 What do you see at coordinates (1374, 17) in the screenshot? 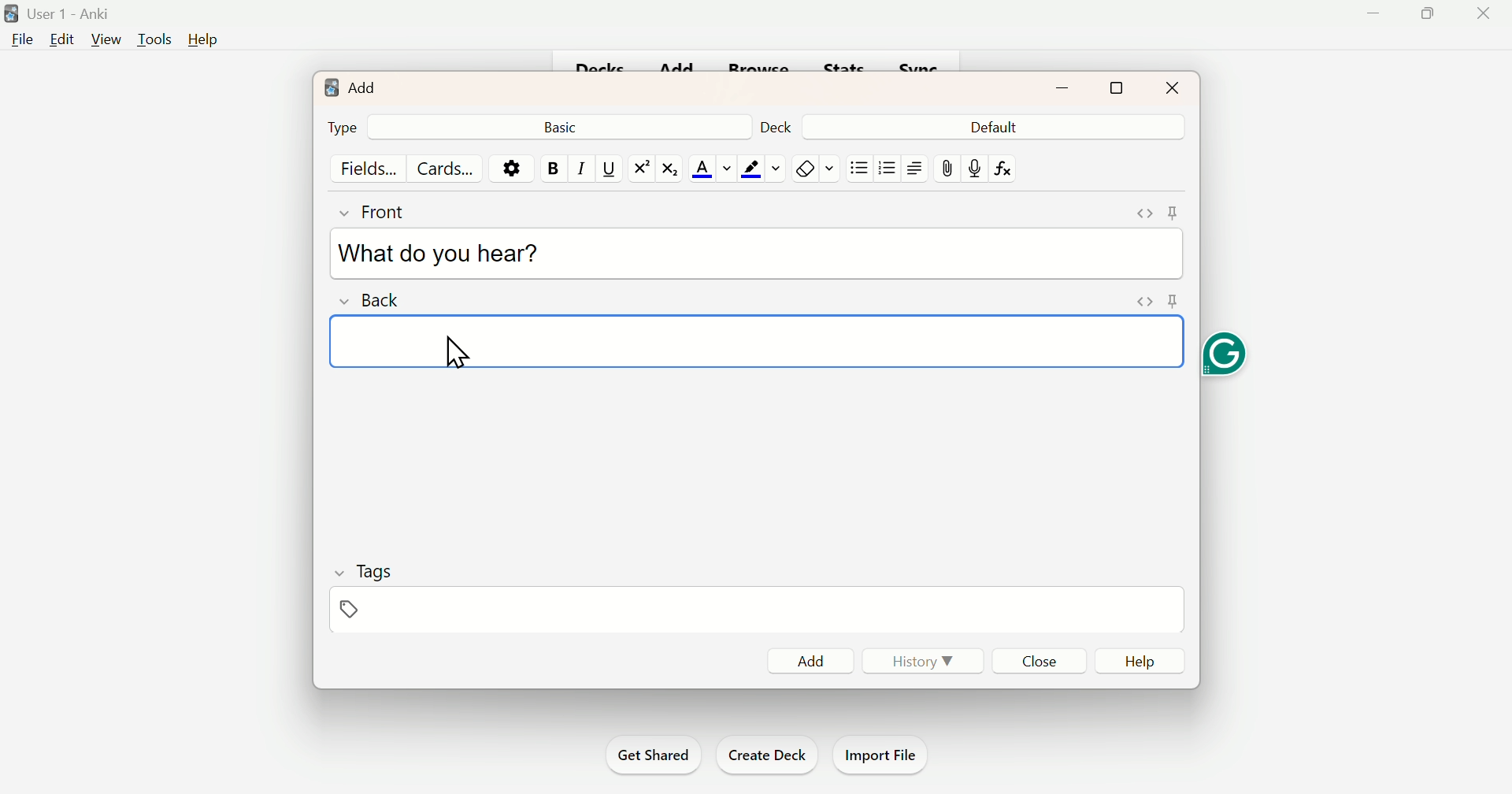
I see `Minimize` at bounding box center [1374, 17].